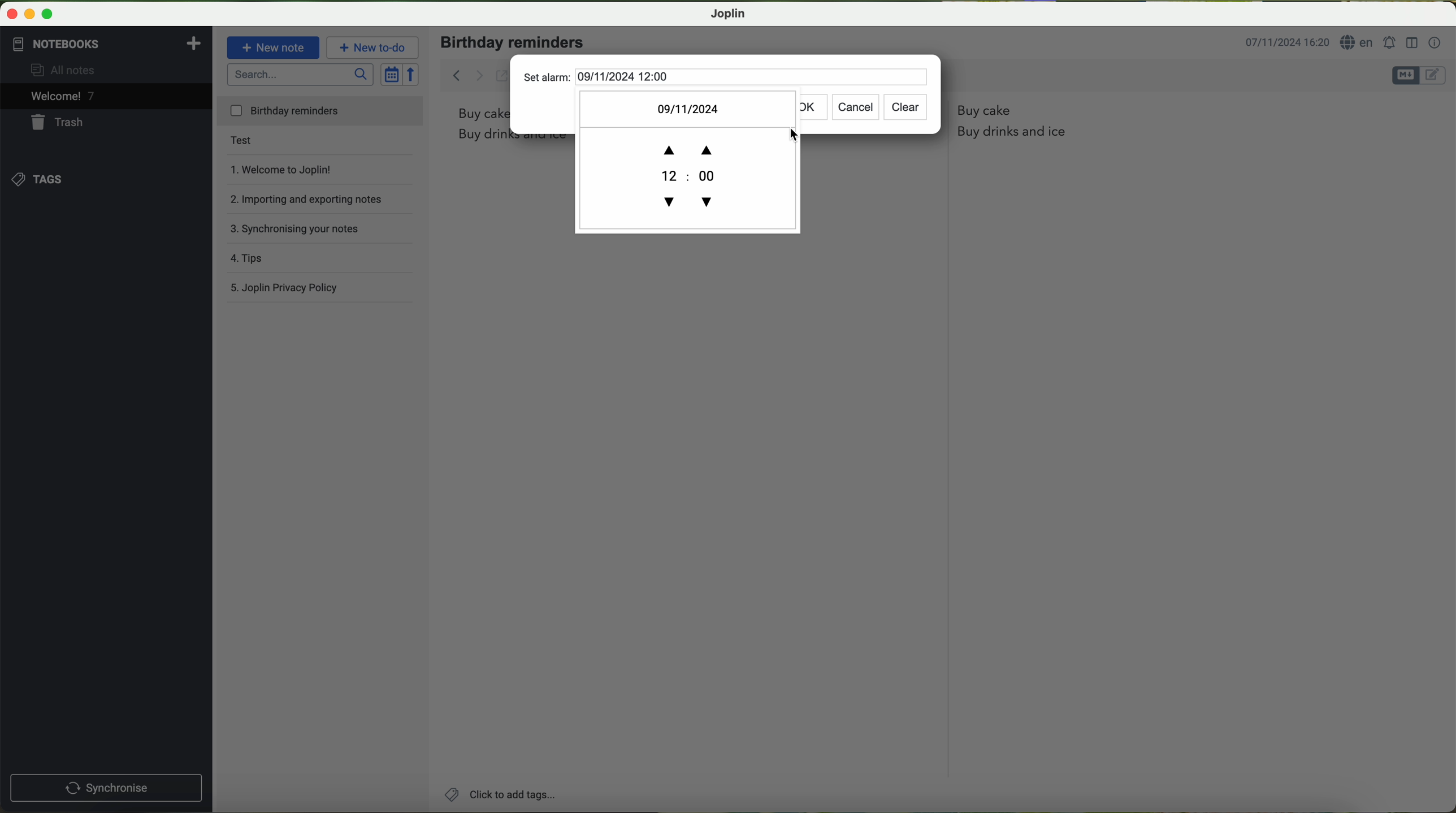 This screenshot has height=813, width=1456. What do you see at coordinates (321, 113) in the screenshot?
I see `birthday reminders file` at bounding box center [321, 113].